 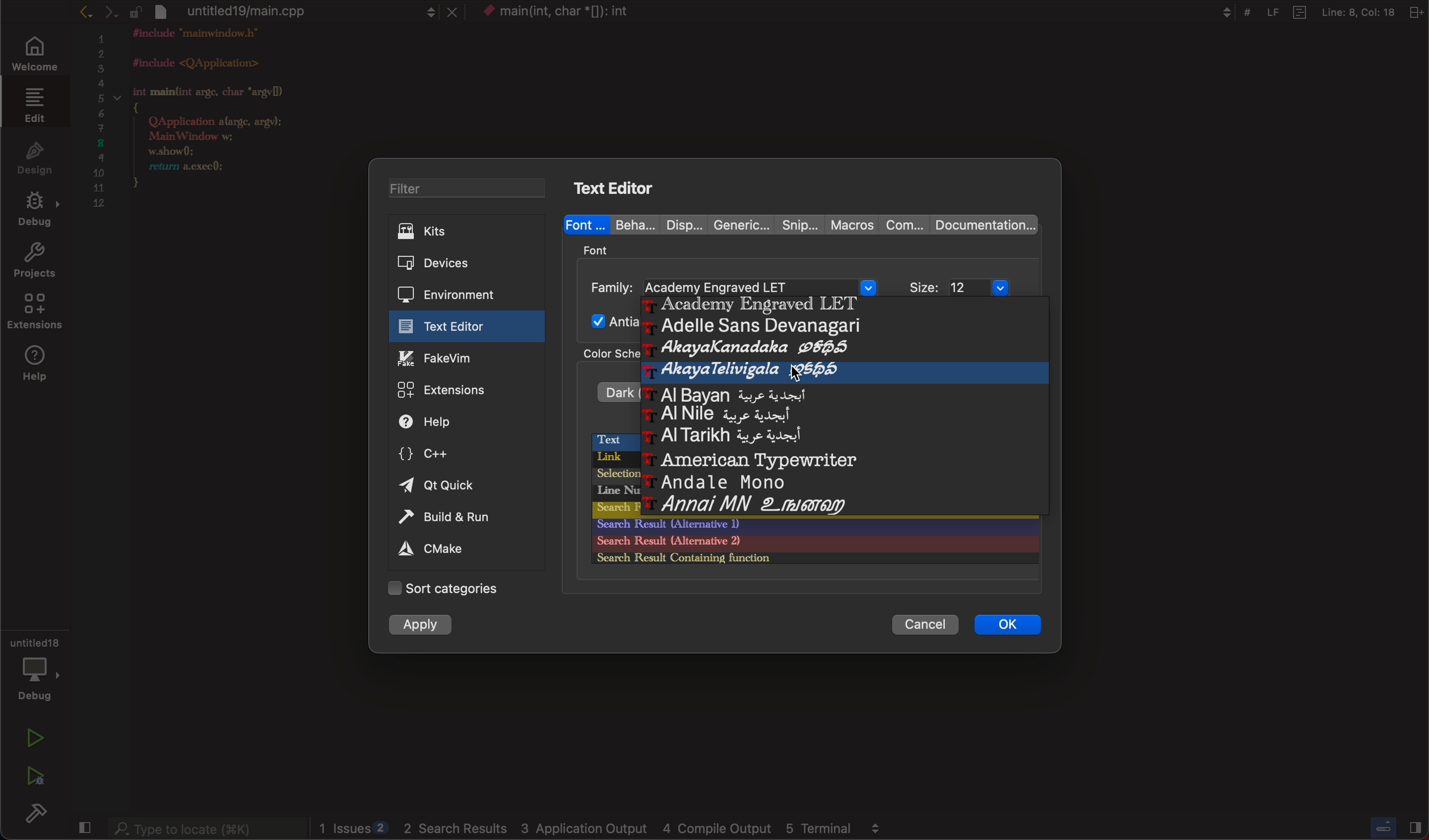 What do you see at coordinates (462, 391) in the screenshot?
I see `extensions` at bounding box center [462, 391].